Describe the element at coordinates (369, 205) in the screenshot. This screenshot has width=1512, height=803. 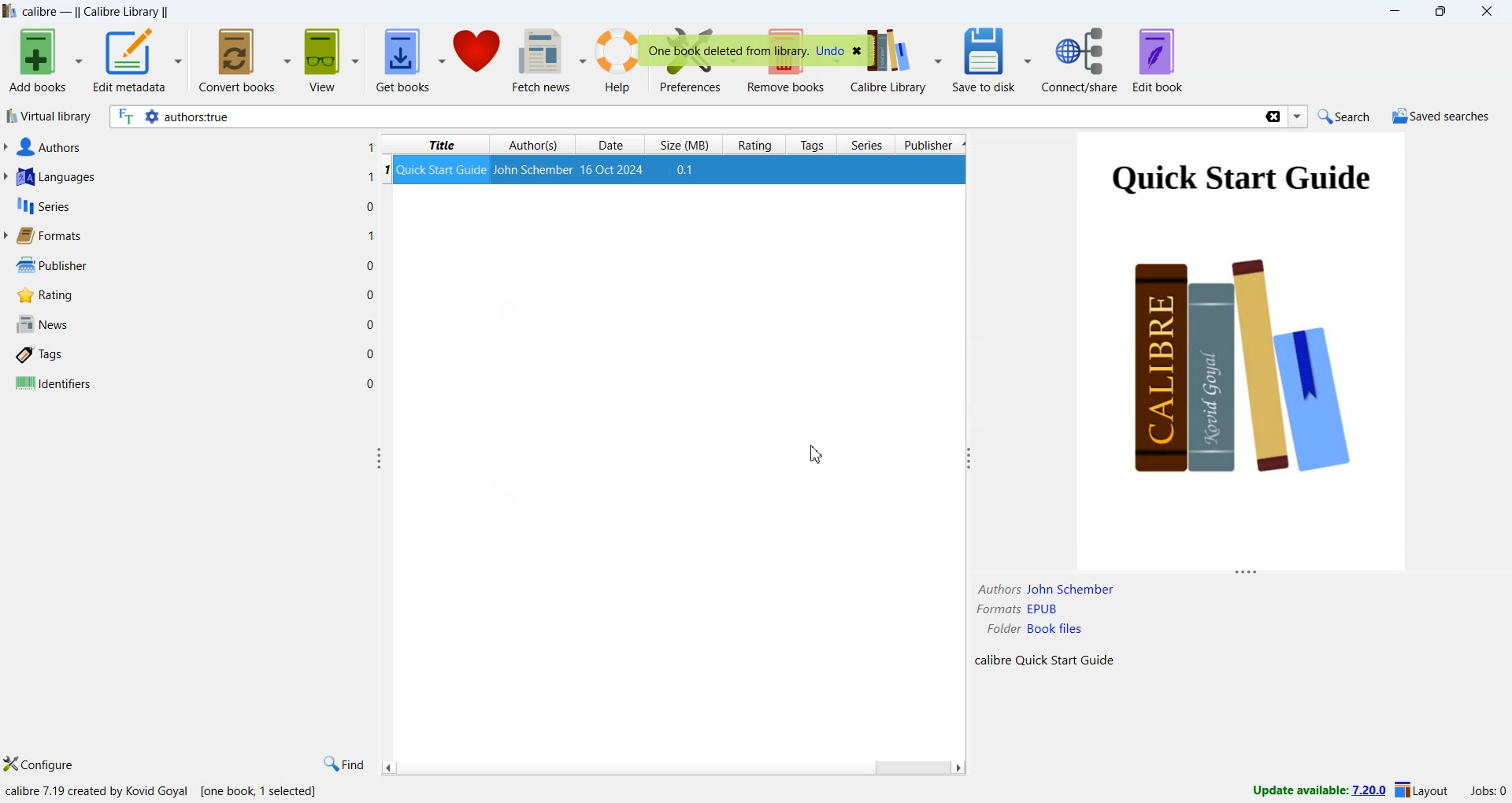
I see `0` at that location.